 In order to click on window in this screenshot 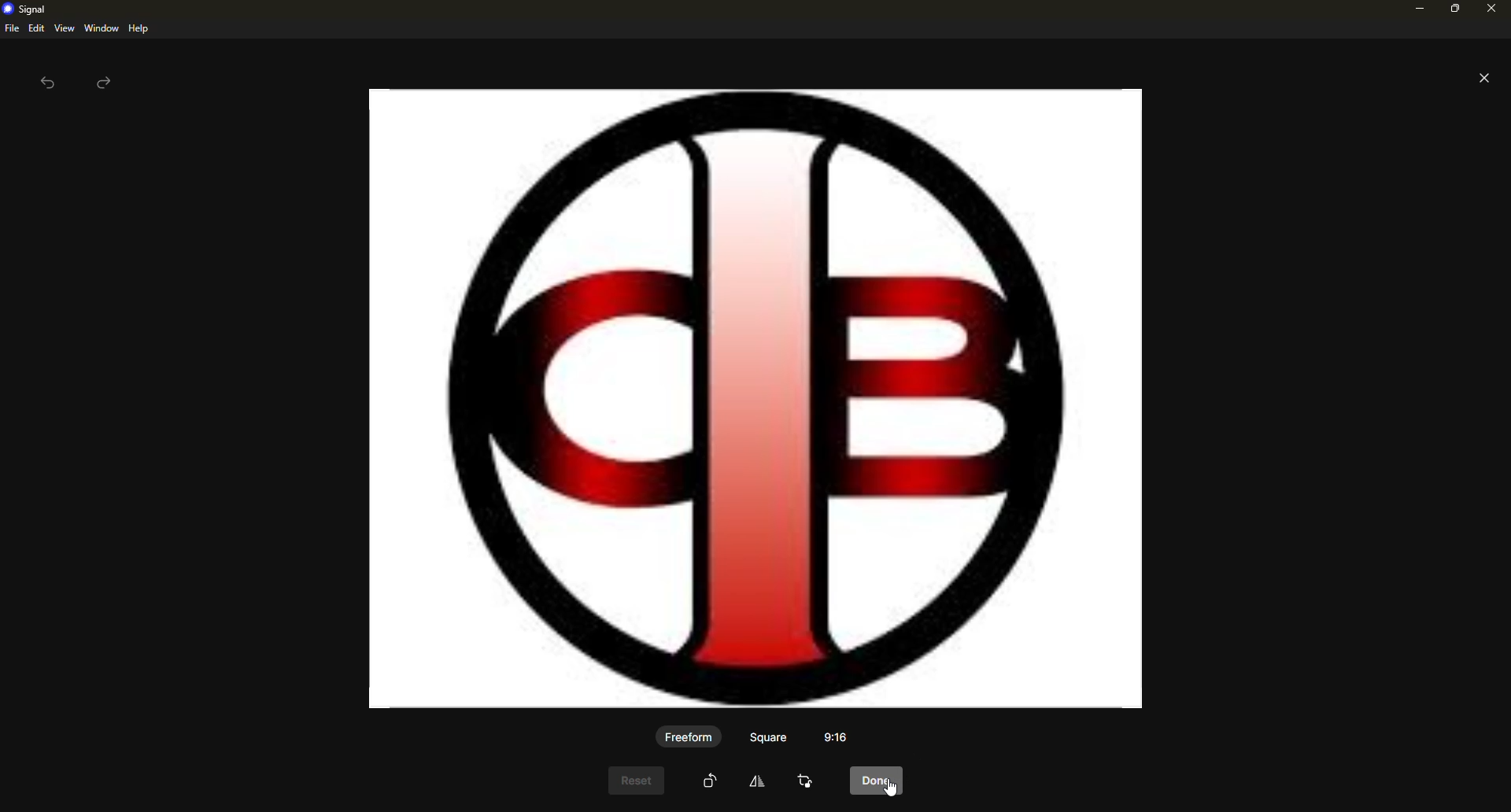, I will do `click(102, 28)`.